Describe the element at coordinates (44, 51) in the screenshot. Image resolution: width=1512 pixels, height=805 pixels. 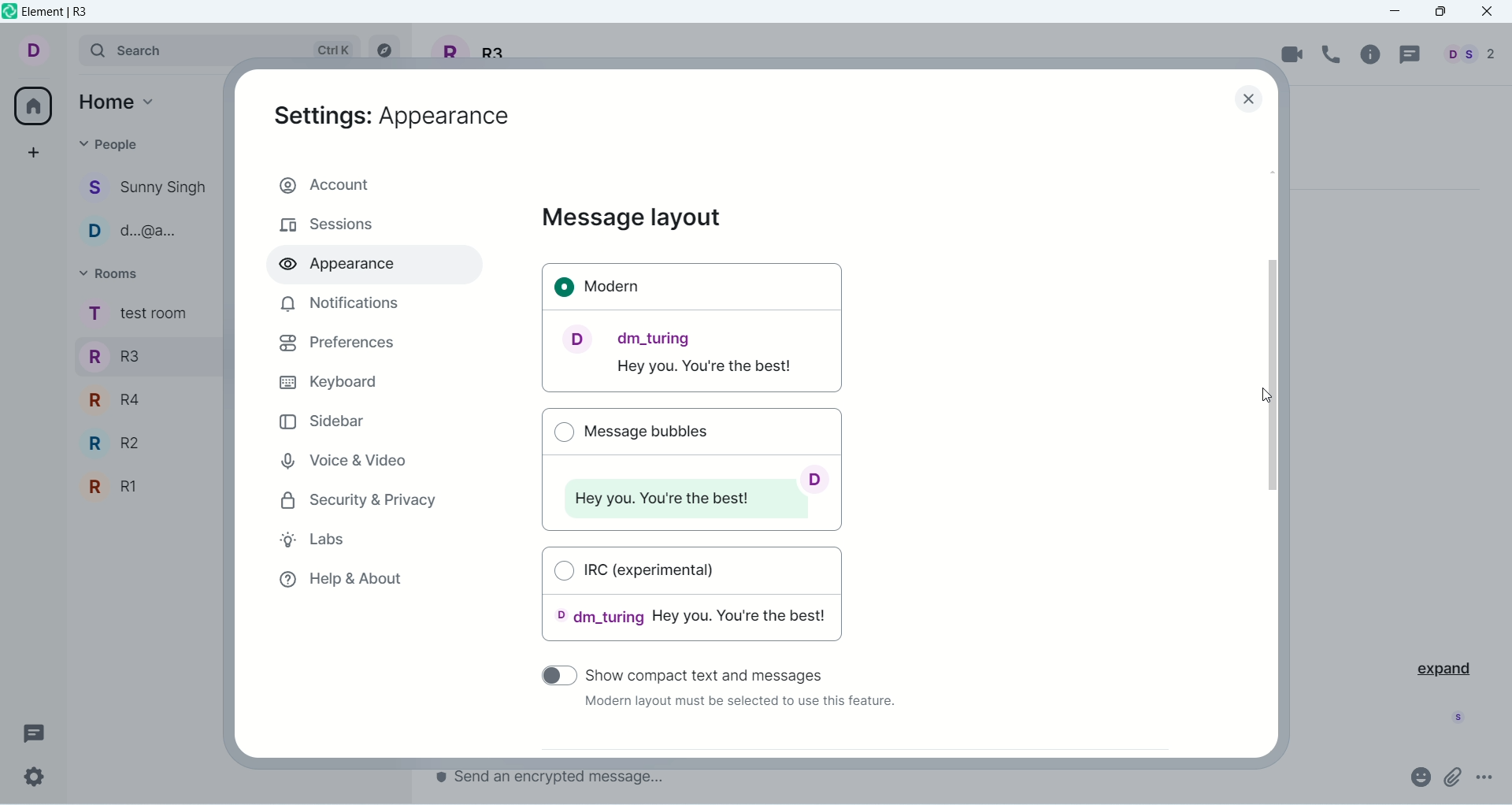
I see `account` at that location.